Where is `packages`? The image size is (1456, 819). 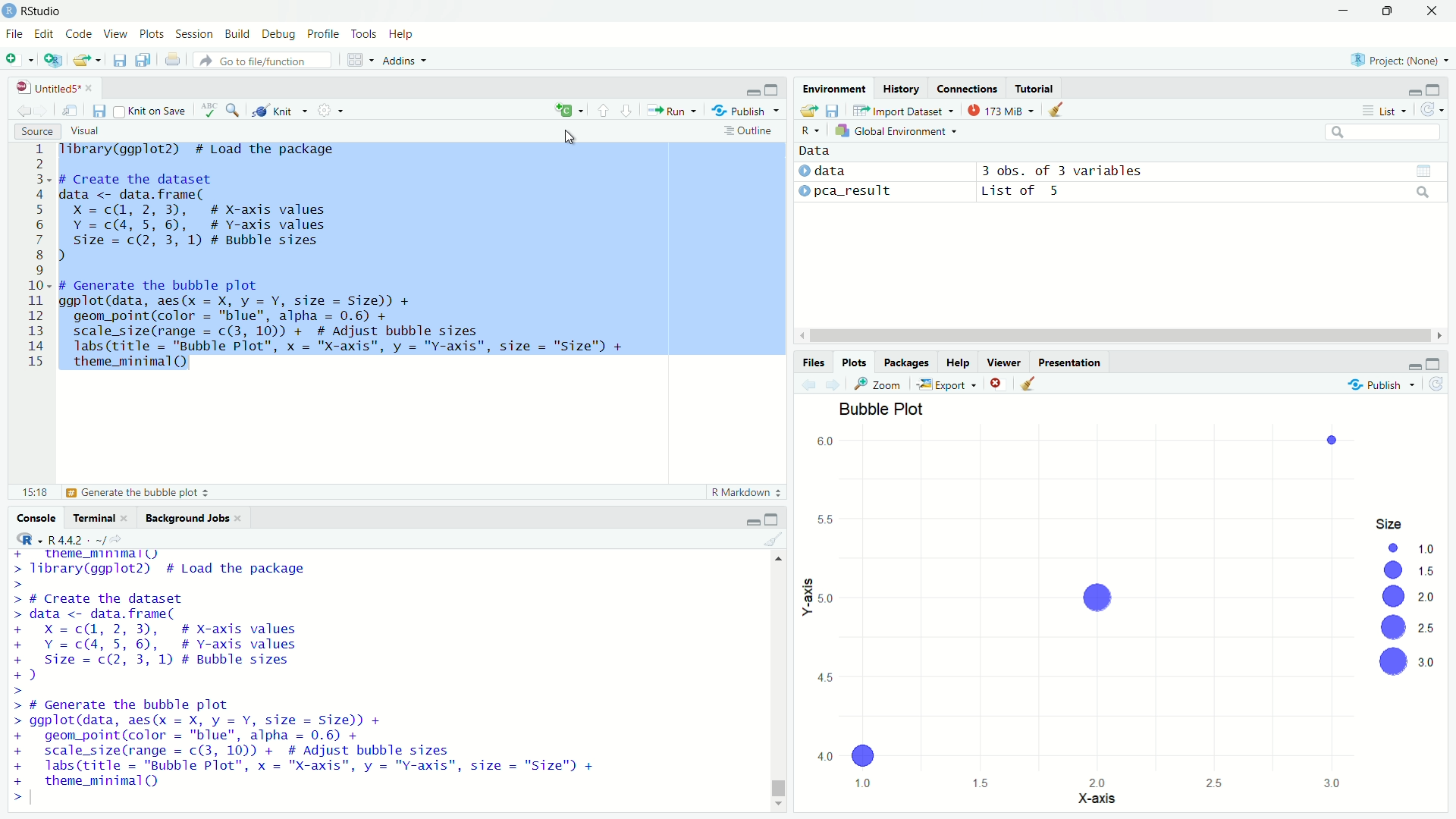 packages is located at coordinates (906, 362).